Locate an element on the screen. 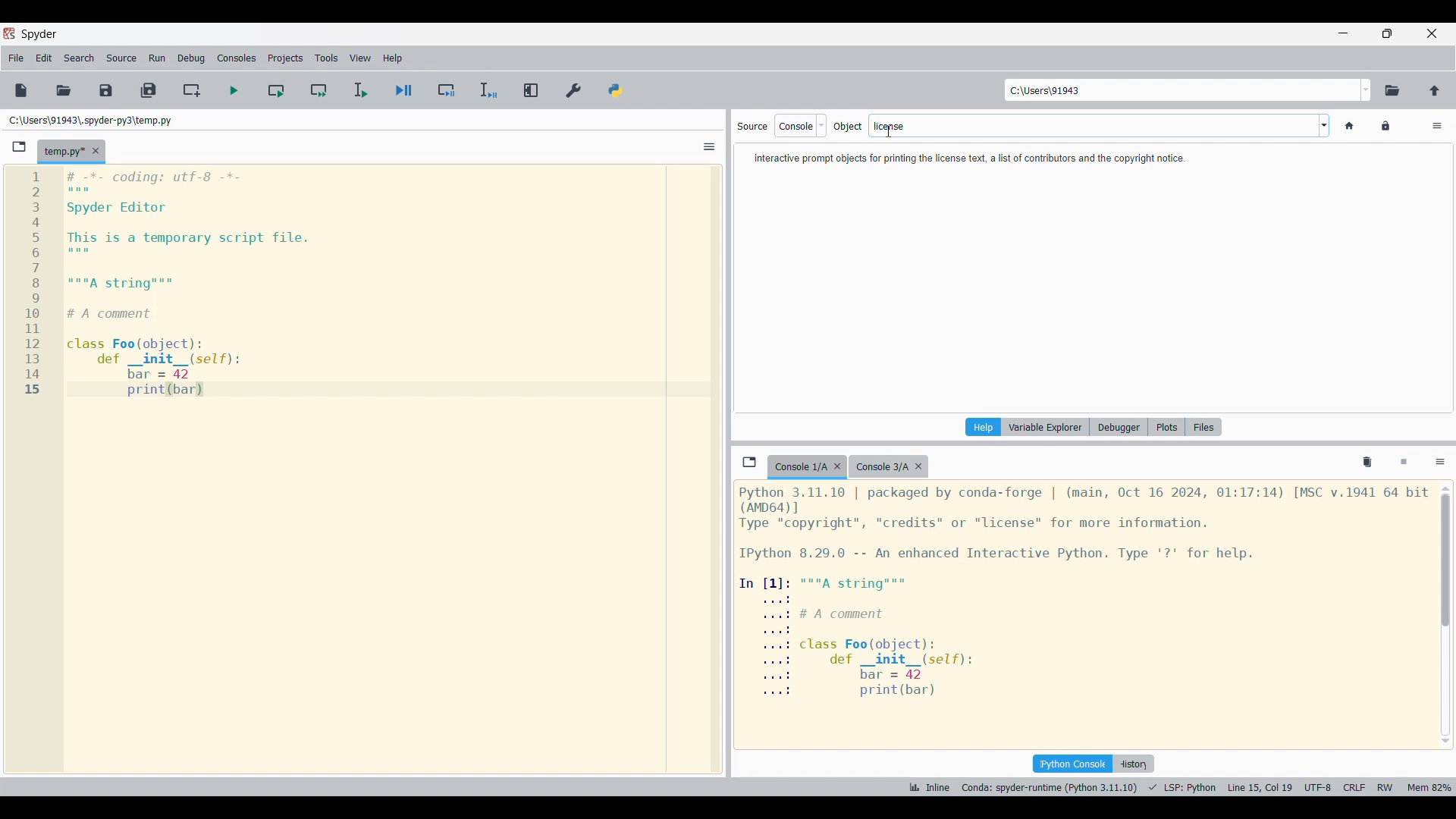  Edit menu is located at coordinates (44, 58).